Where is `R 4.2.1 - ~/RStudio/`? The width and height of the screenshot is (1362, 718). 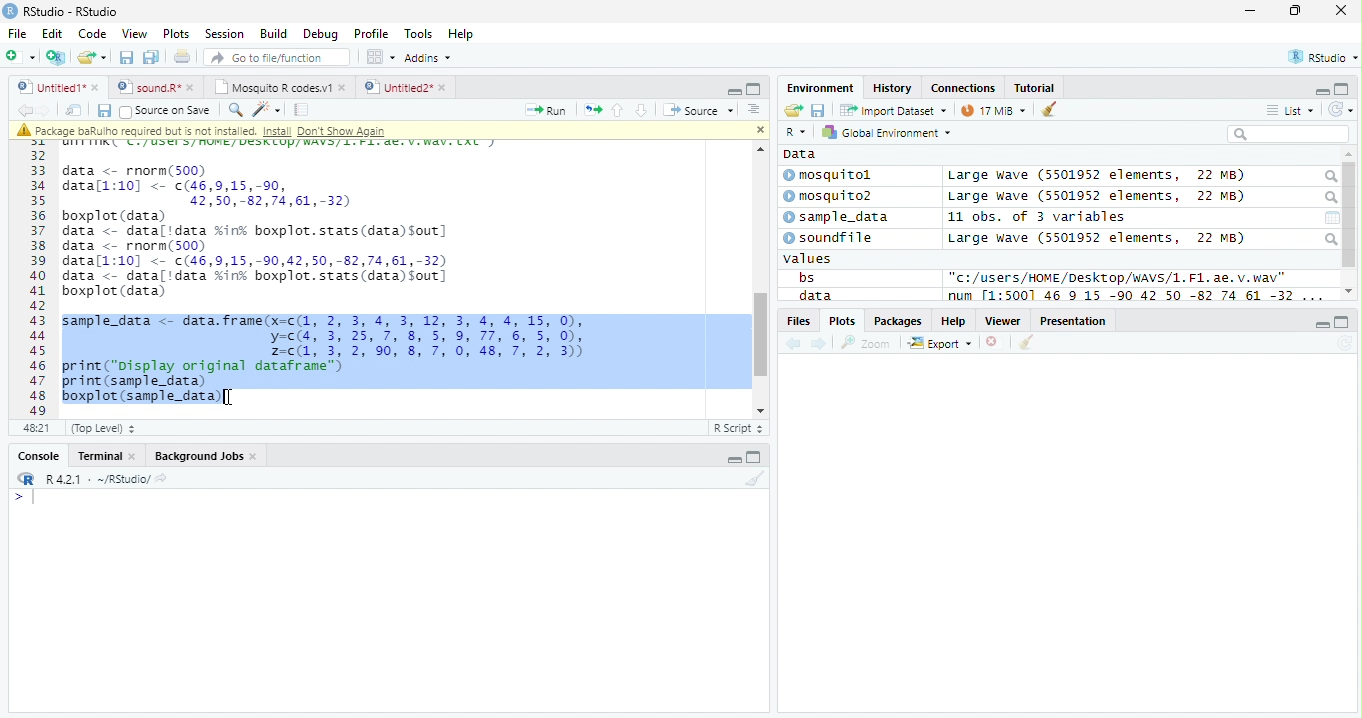
R 4.2.1 - ~/RStudio/ is located at coordinates (98, 481).